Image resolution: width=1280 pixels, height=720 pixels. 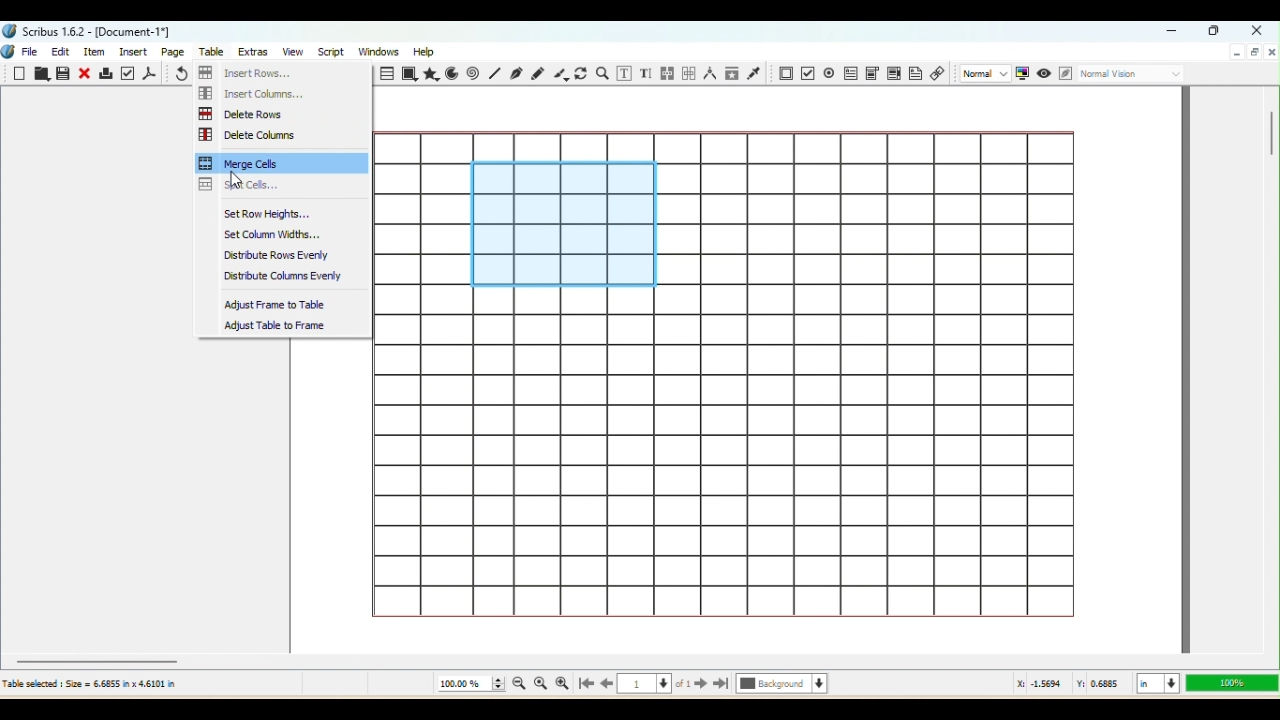 What do you see at coordinates (1254, 53) in the screenshot?
I see `Maximize` at bounding box center [1254, 53].